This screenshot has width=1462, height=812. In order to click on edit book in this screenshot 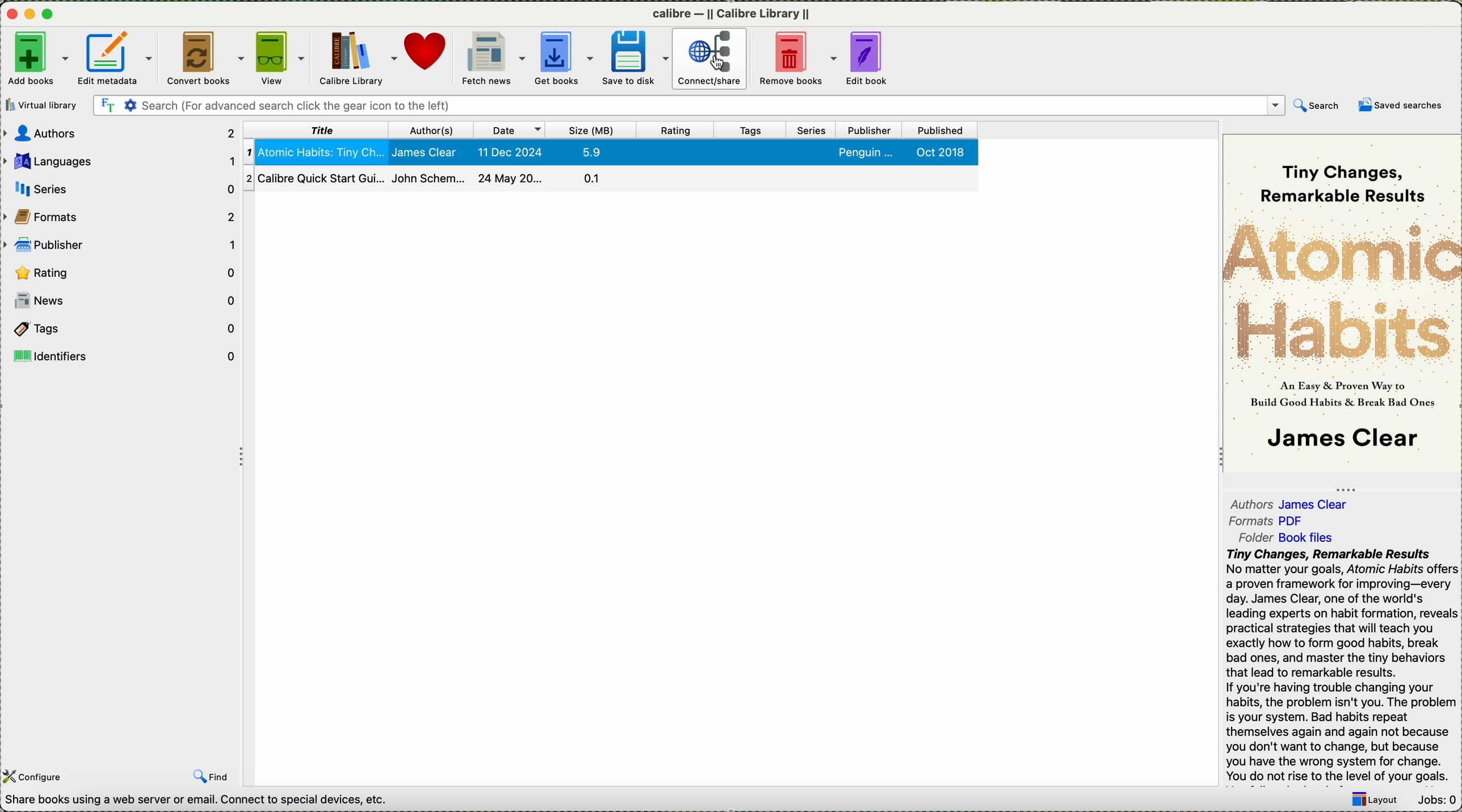, I will do `click(875, 57)`.